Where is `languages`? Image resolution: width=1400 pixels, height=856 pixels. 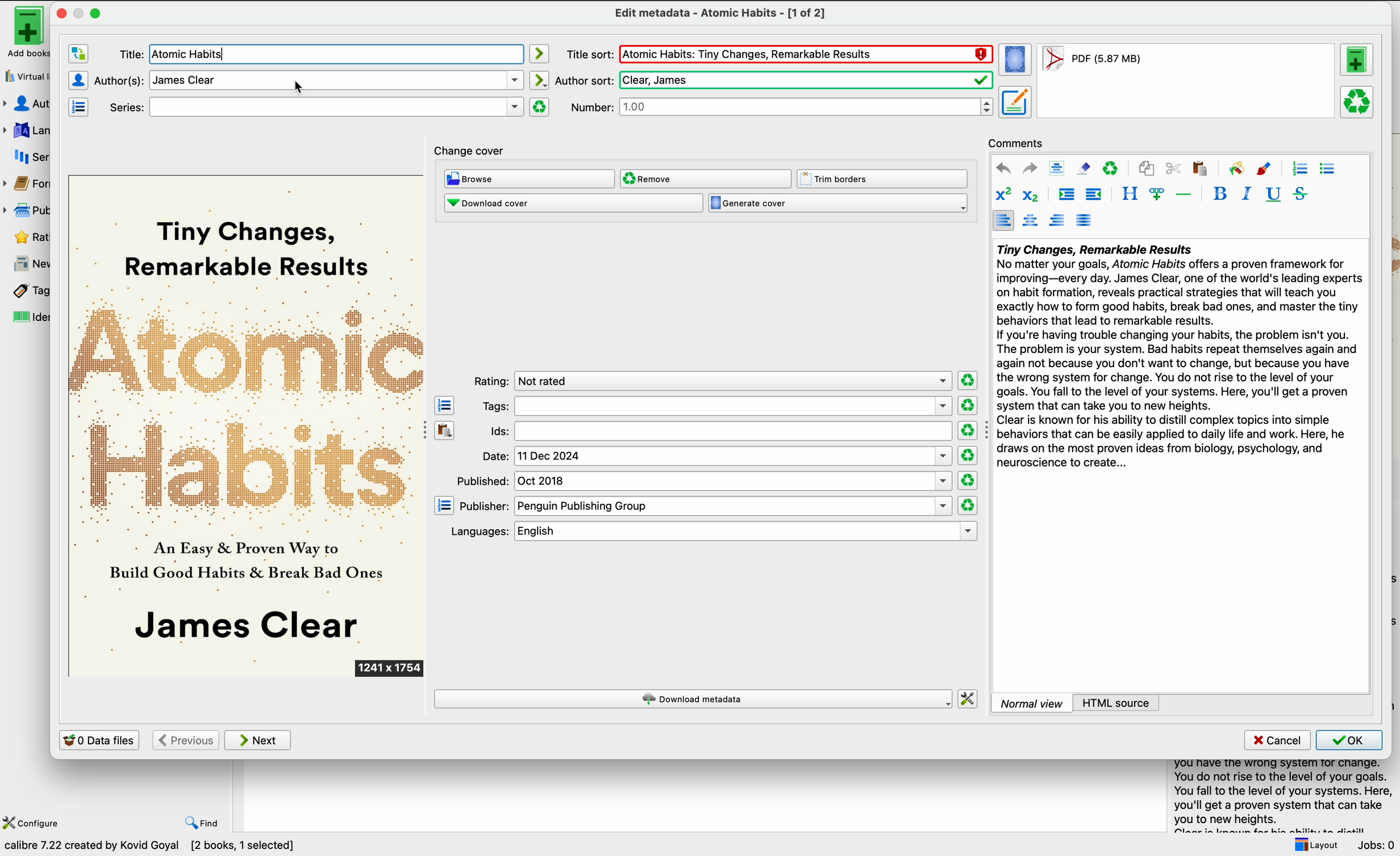
languages is located at coordinates (26, 129).